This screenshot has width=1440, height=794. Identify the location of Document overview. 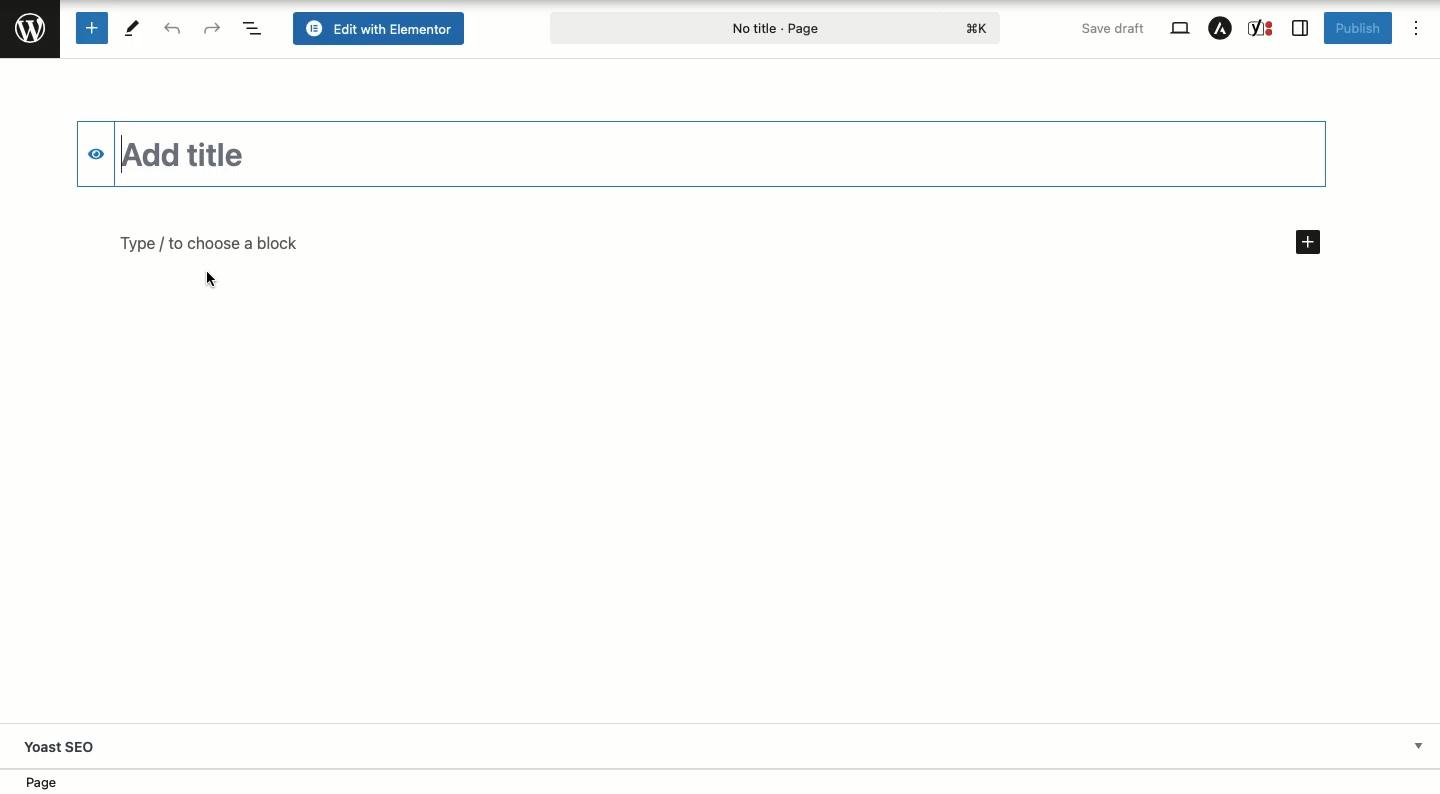
(254, 28).